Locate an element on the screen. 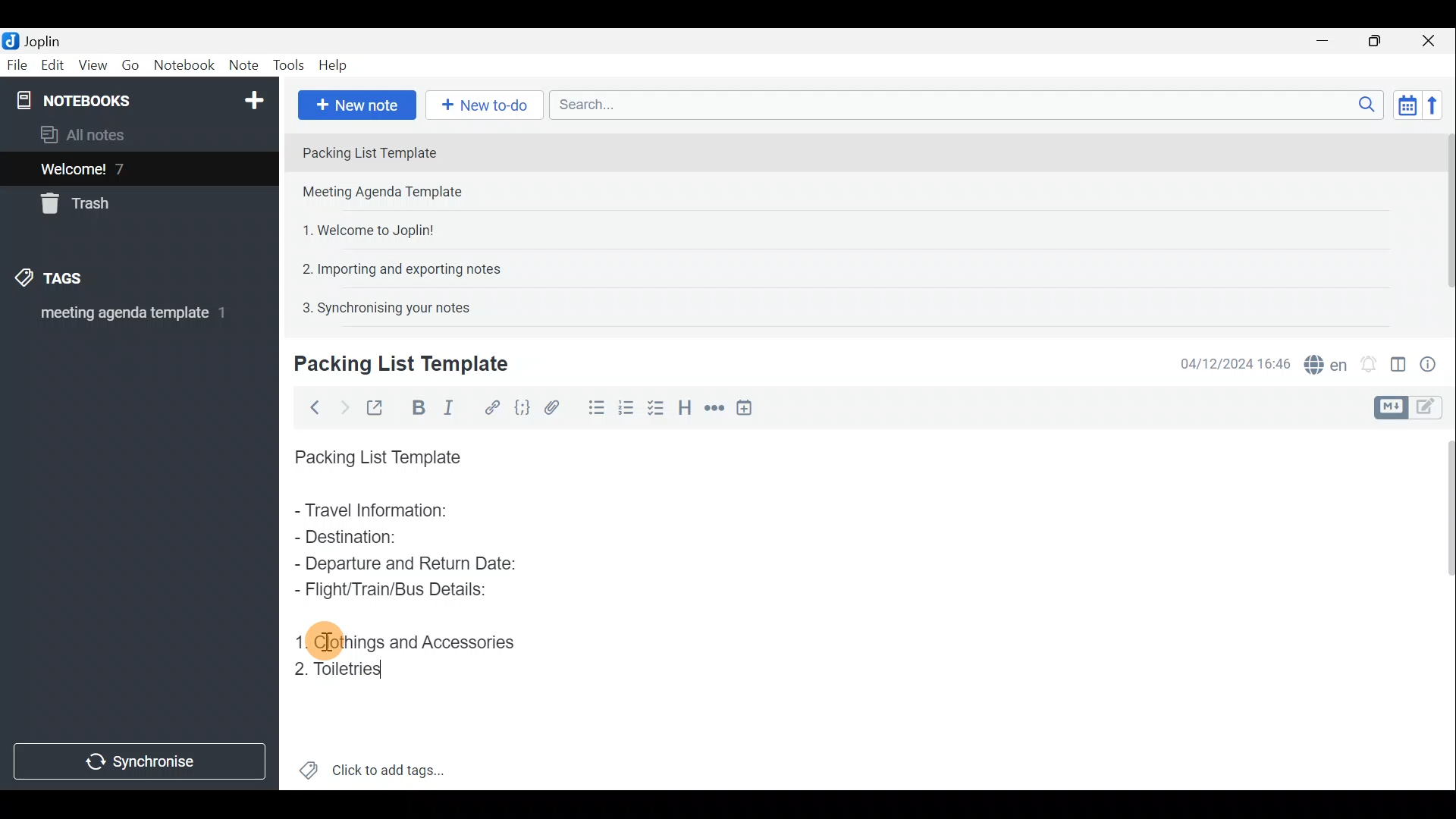 Image resolution: width=1456 pixels, height=819 pixels. Notebook is located at coordinates (184, 67).